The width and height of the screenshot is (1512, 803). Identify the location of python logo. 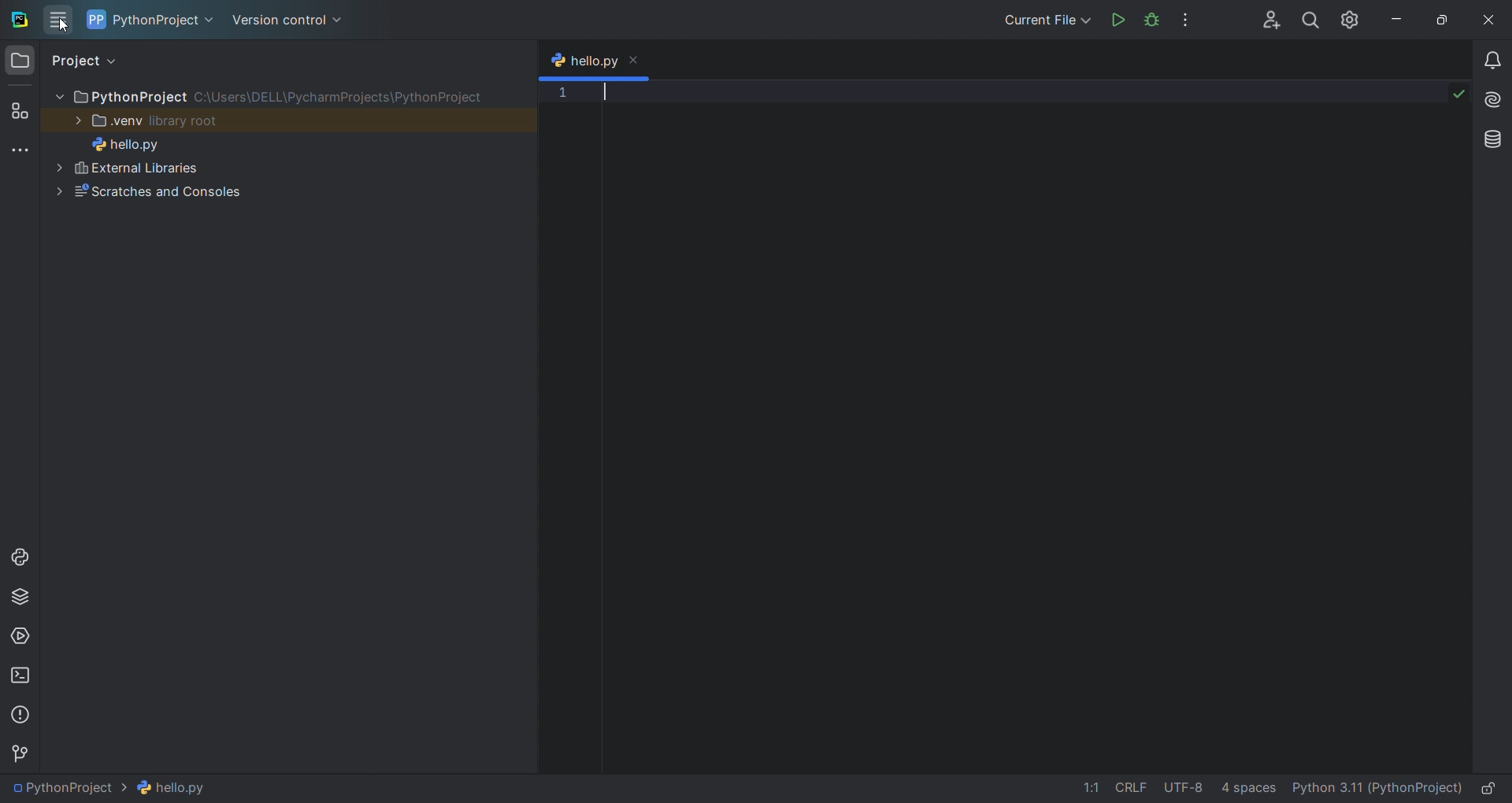
(557, 62).